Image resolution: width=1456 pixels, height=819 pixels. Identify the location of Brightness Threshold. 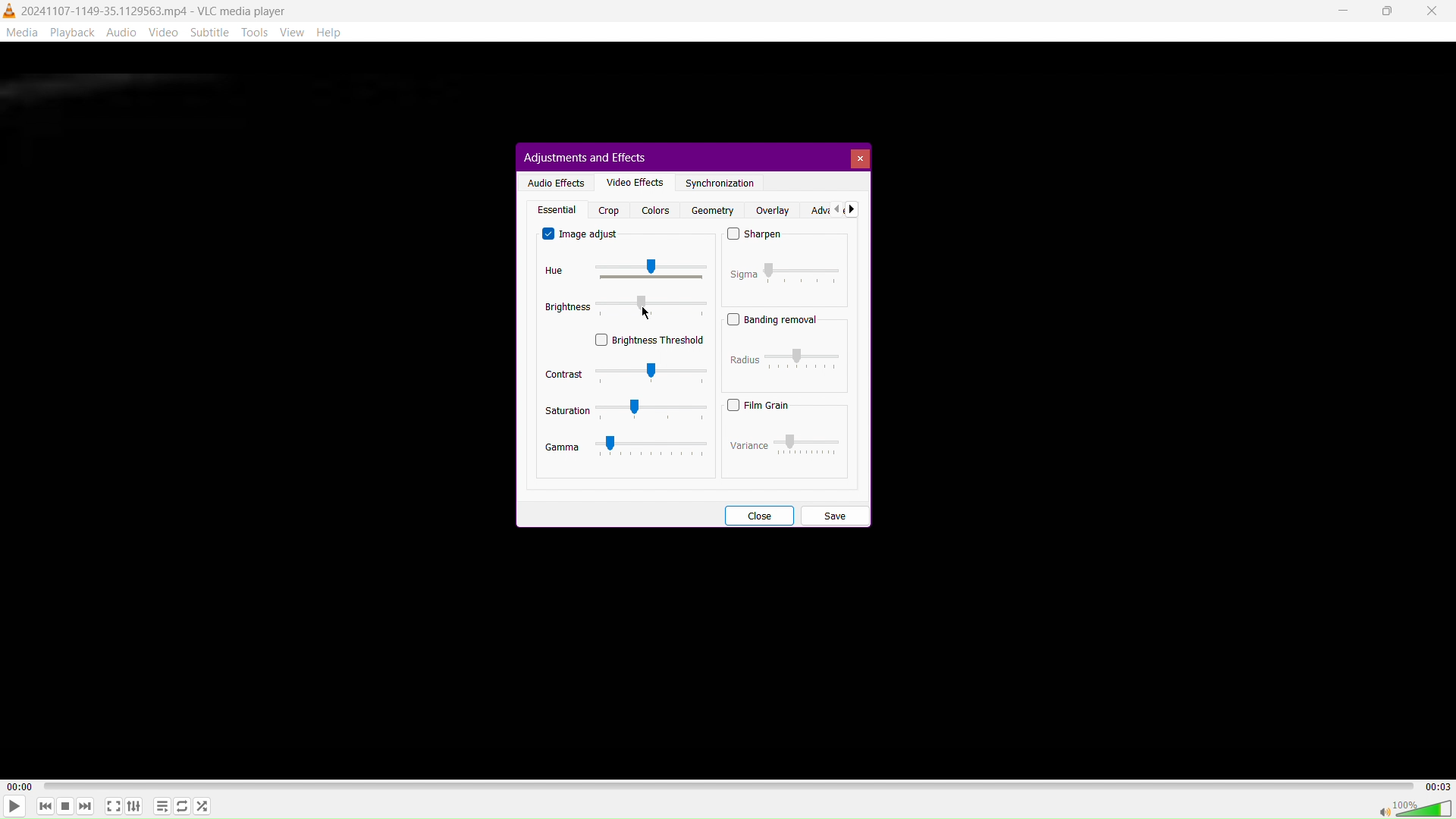
(650, 339).